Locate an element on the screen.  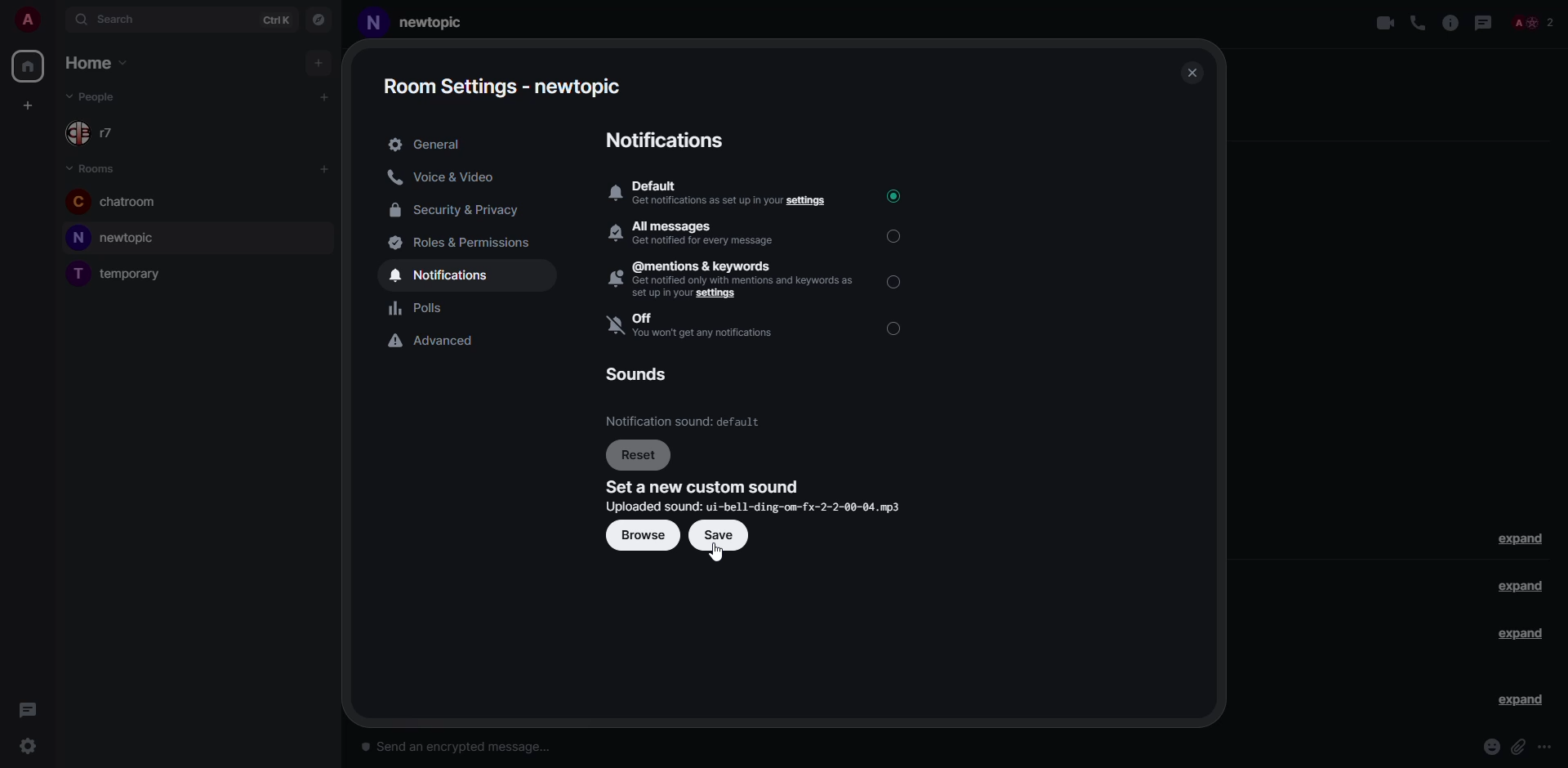
advanced is located at coordinates (439, 342).